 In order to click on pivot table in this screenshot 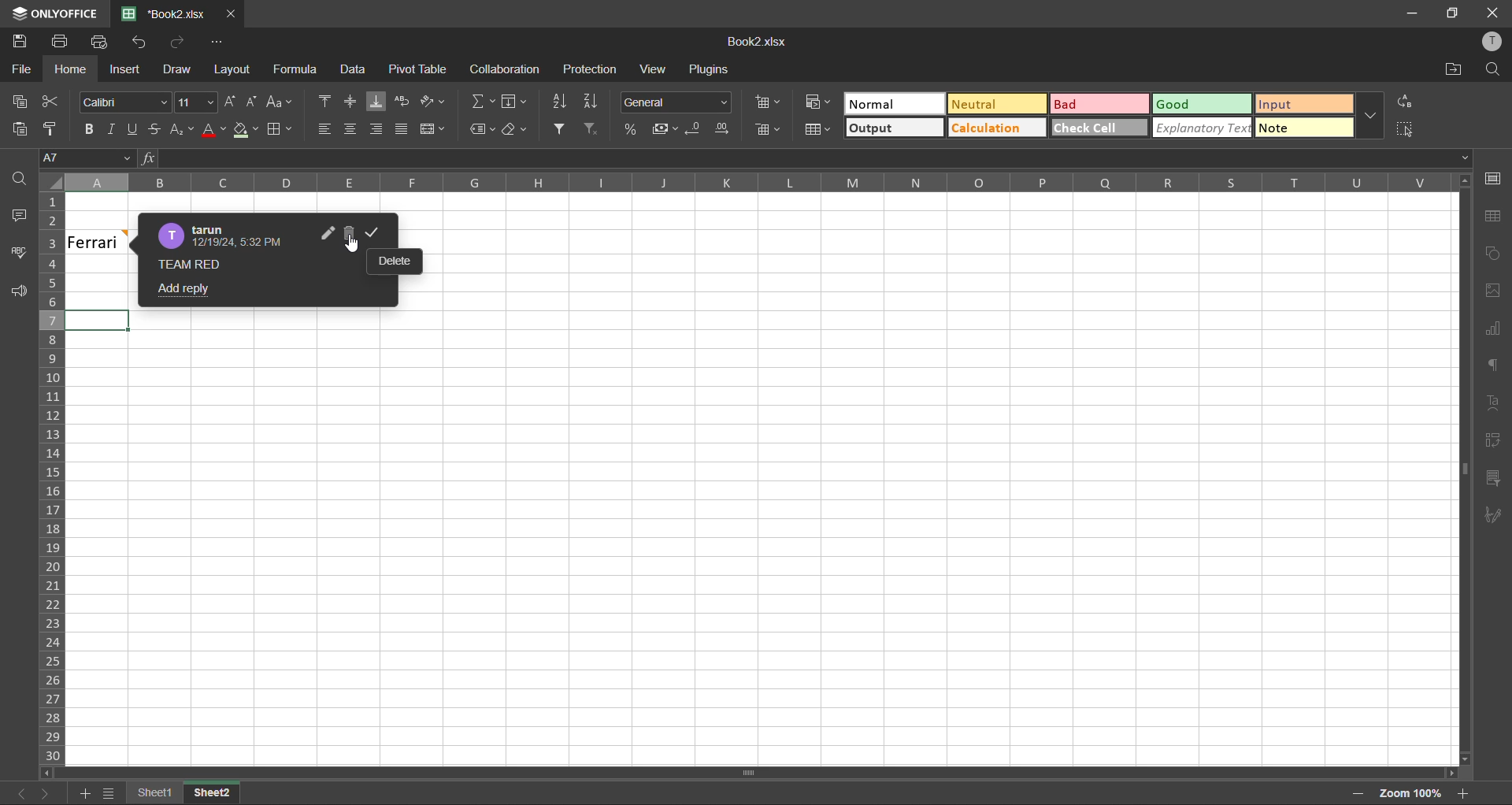, I will do `click(1492, 442)`.